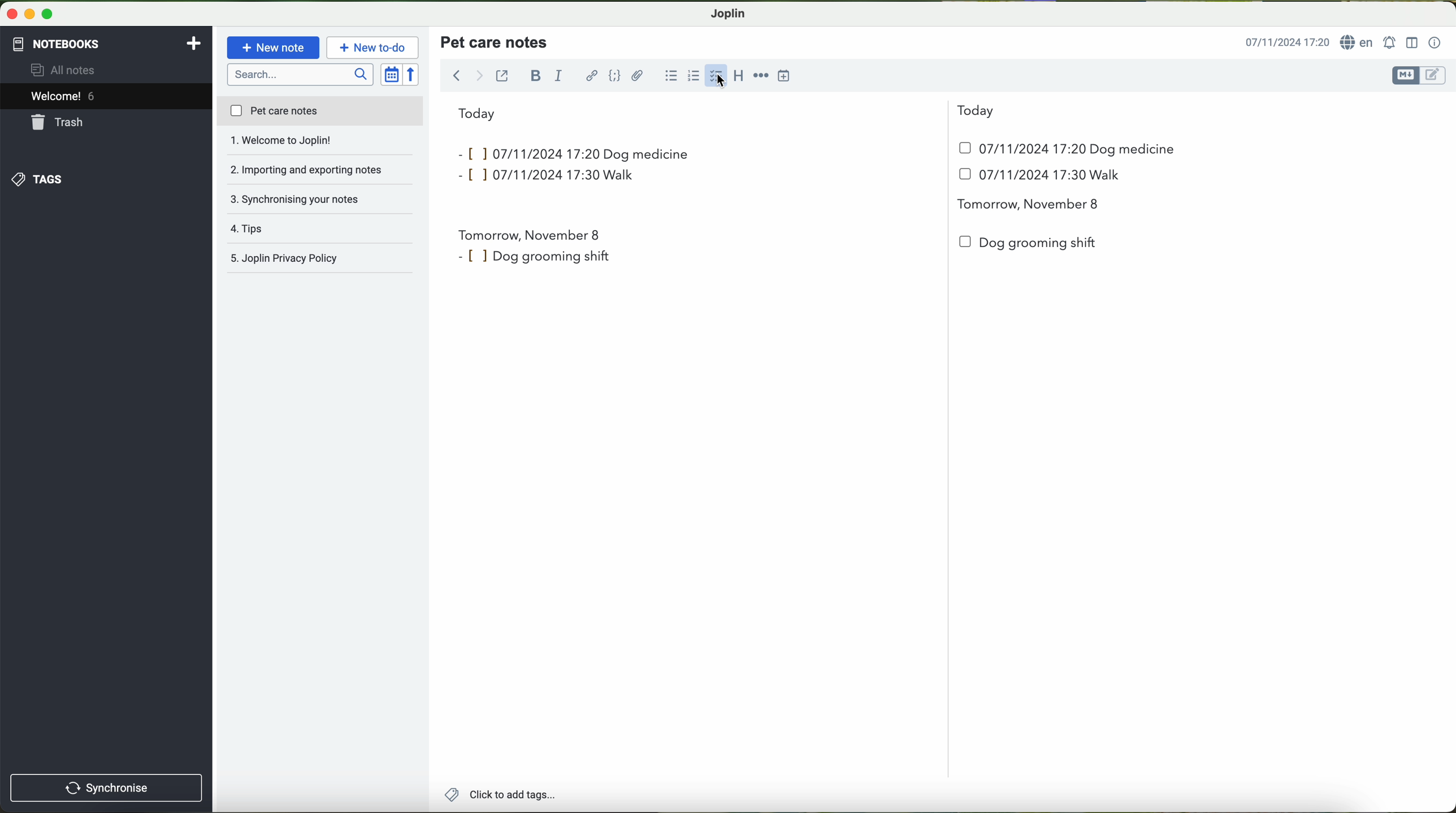 This screenshot has width=1456, height=813. What do you see at coordinates (106, 788) in the screenshot?
I see `synchronise button` at bounding box center [106, 788].